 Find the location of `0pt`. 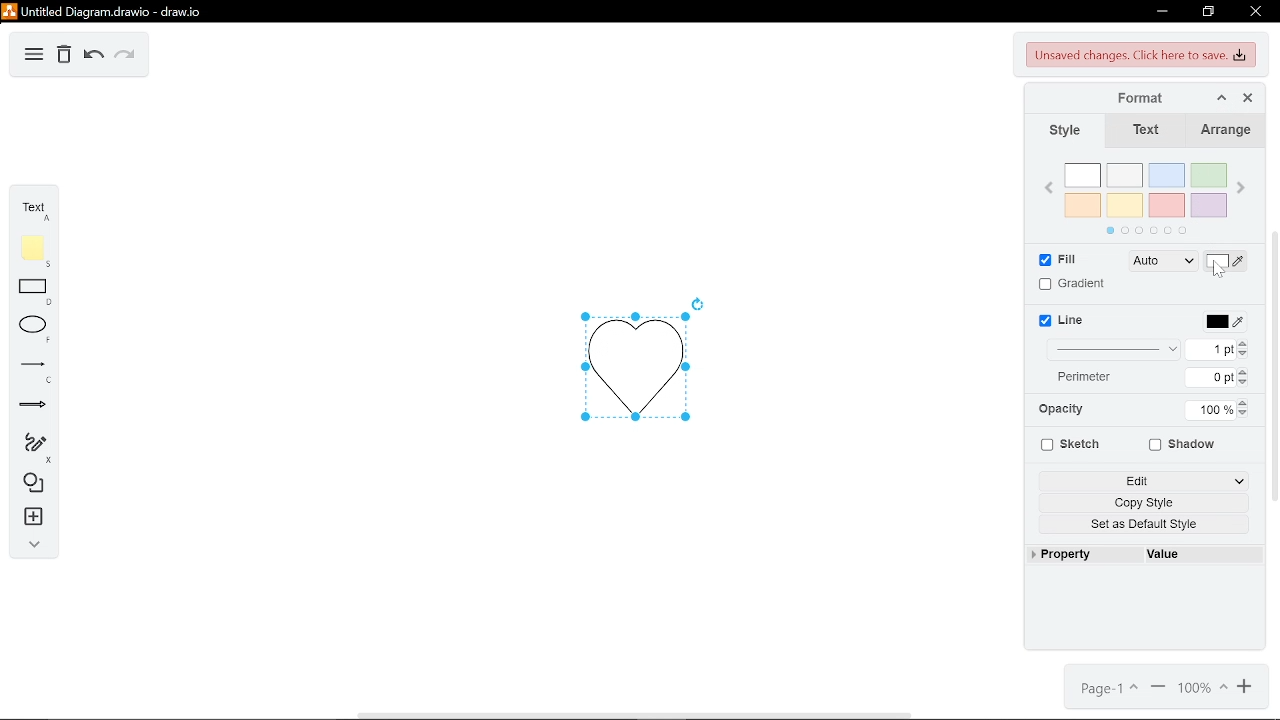

0pt is located at coordinates (1218, 378).